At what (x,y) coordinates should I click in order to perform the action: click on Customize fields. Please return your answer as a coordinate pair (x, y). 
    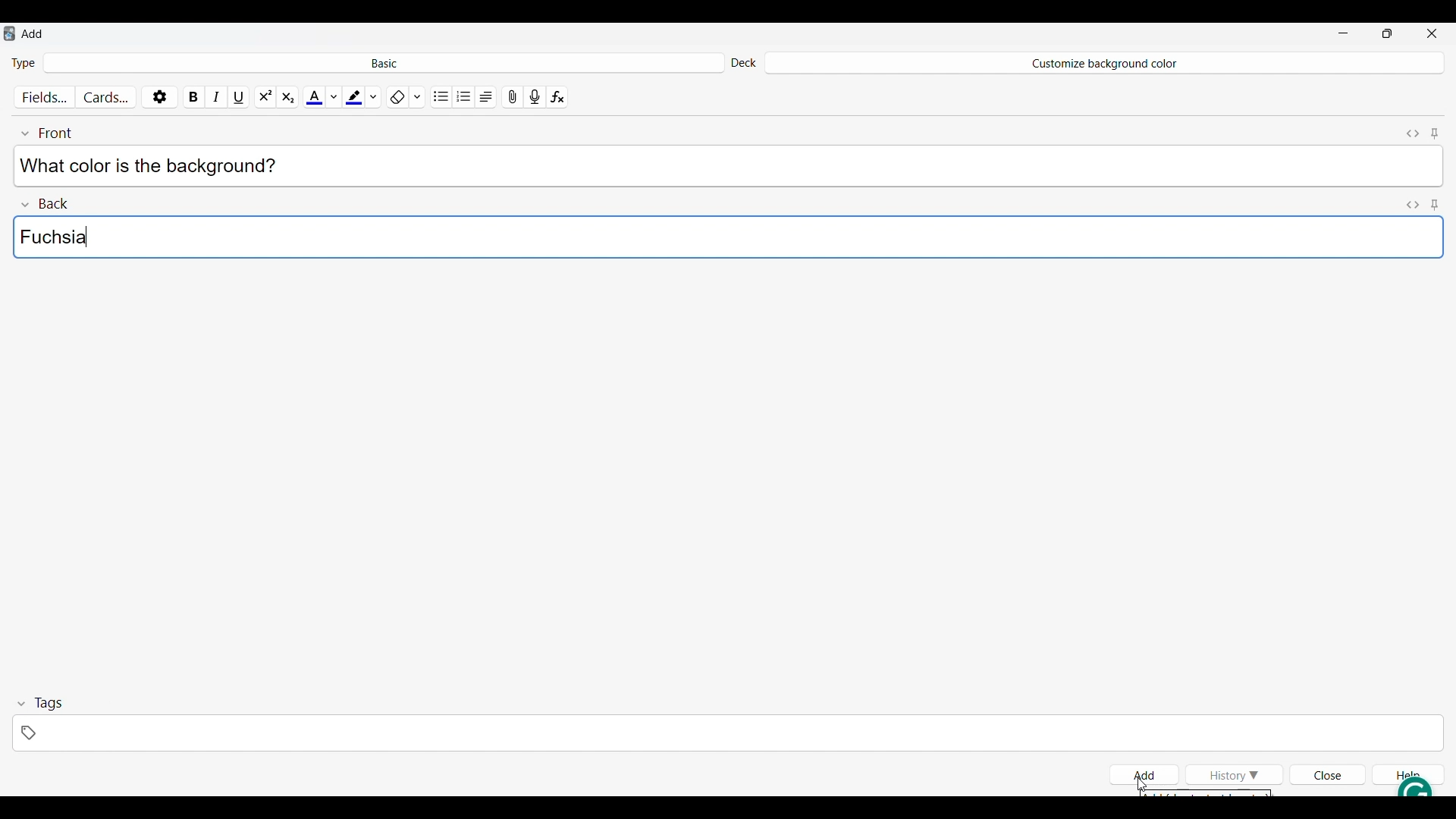
    Looking at the image, I should click on (46, 95).